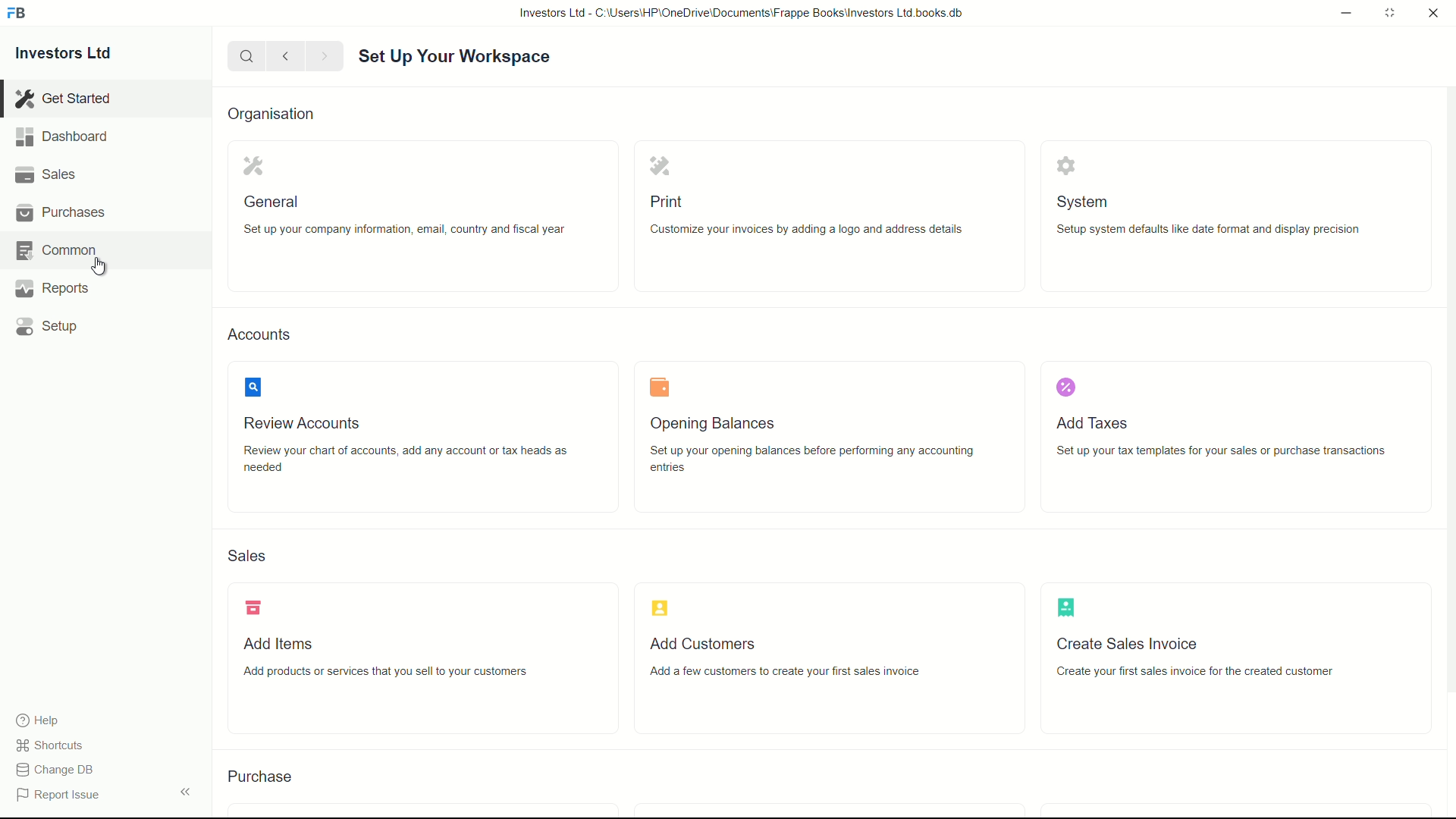  I want to click on Print, so click(667, 199).